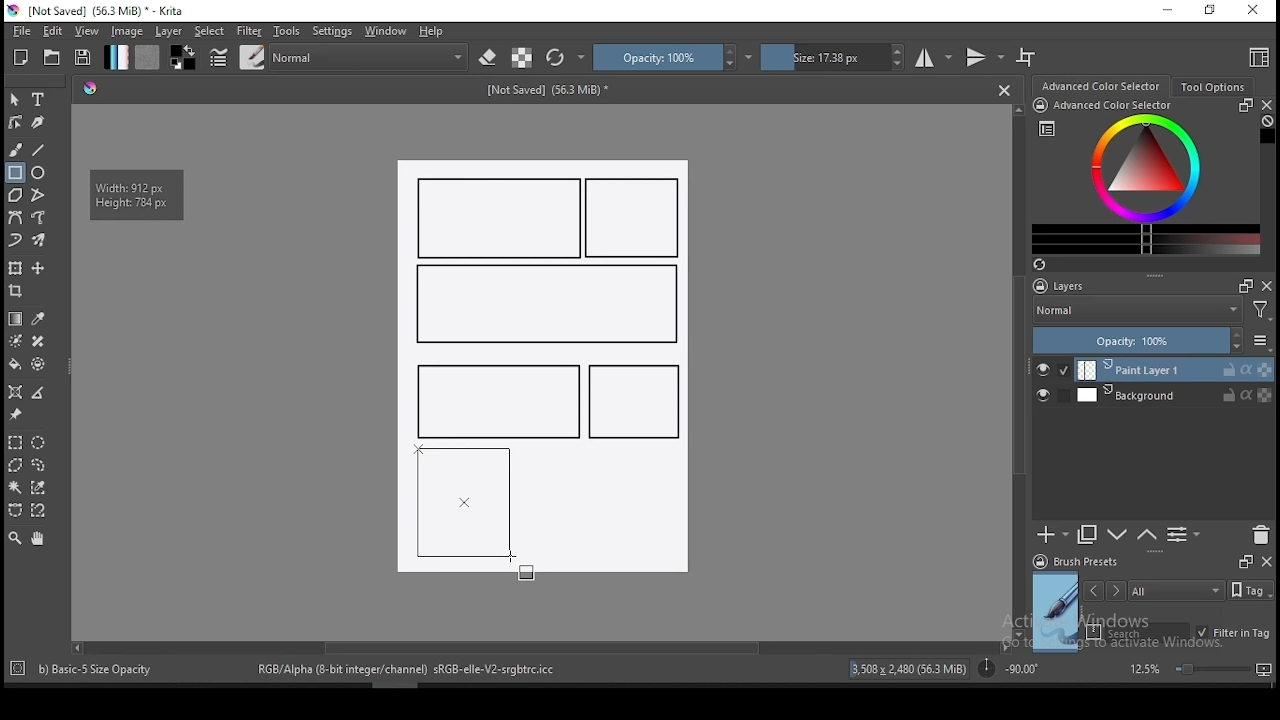 The width and height of the screenshot is (1280, 720). What do you see at coordinates (15, 392) in the screenshot?
I see `assistant tool` at bounding box center [15, 392].